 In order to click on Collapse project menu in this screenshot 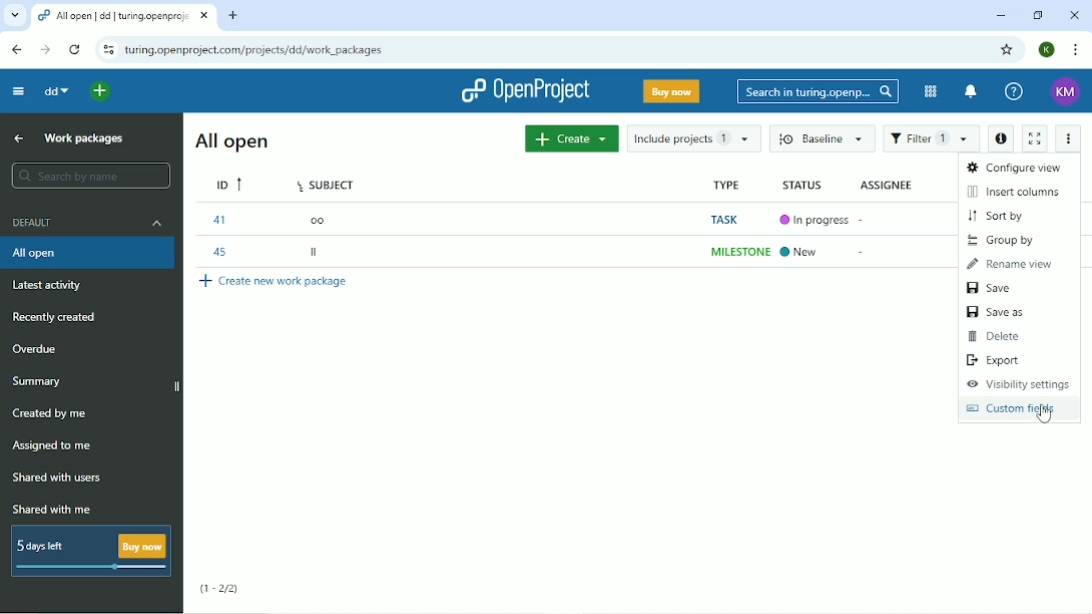, I will do `click(15, 91)`.